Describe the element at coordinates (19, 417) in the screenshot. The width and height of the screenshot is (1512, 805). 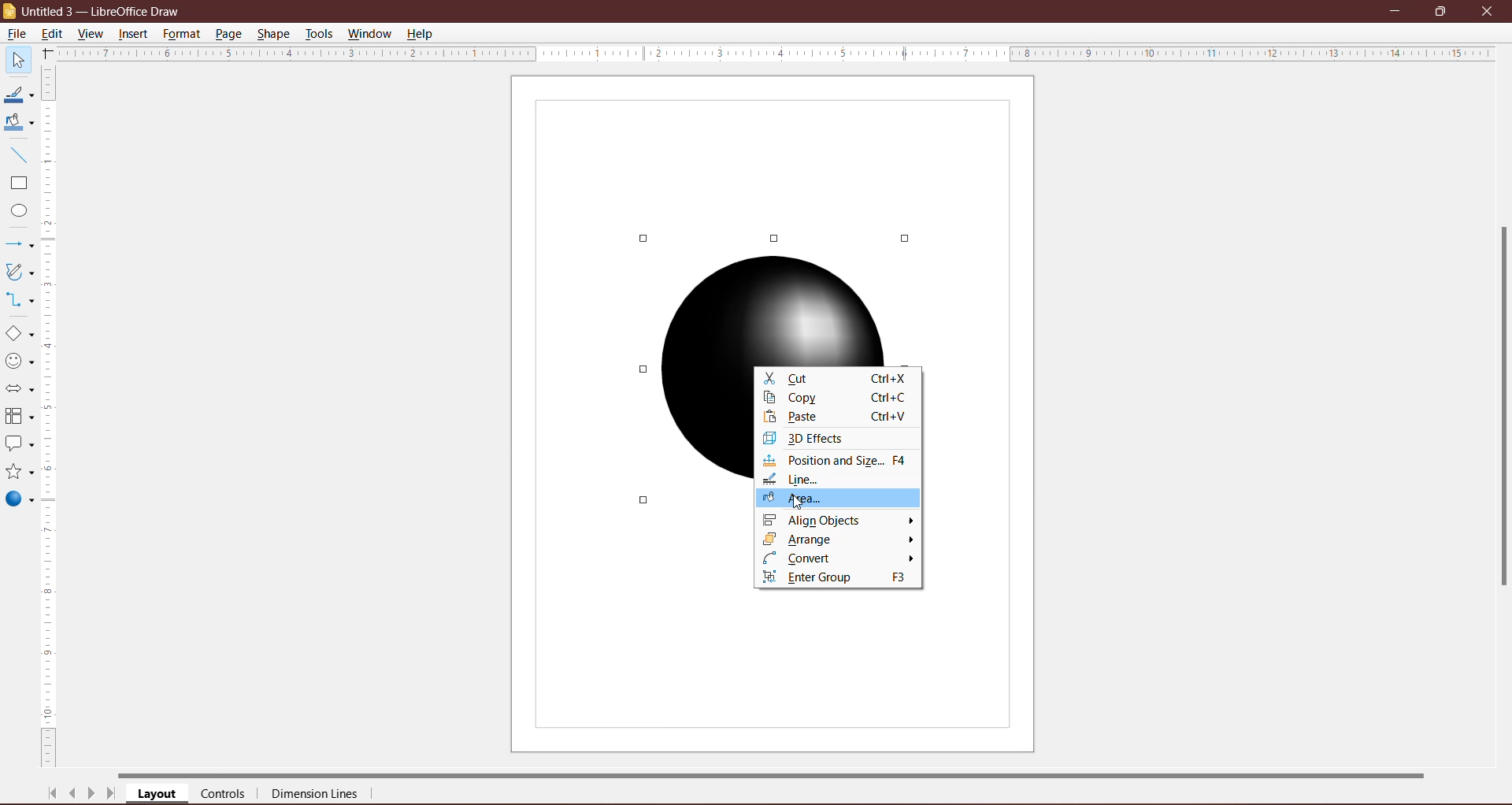
I see `Flowchart` at that location.